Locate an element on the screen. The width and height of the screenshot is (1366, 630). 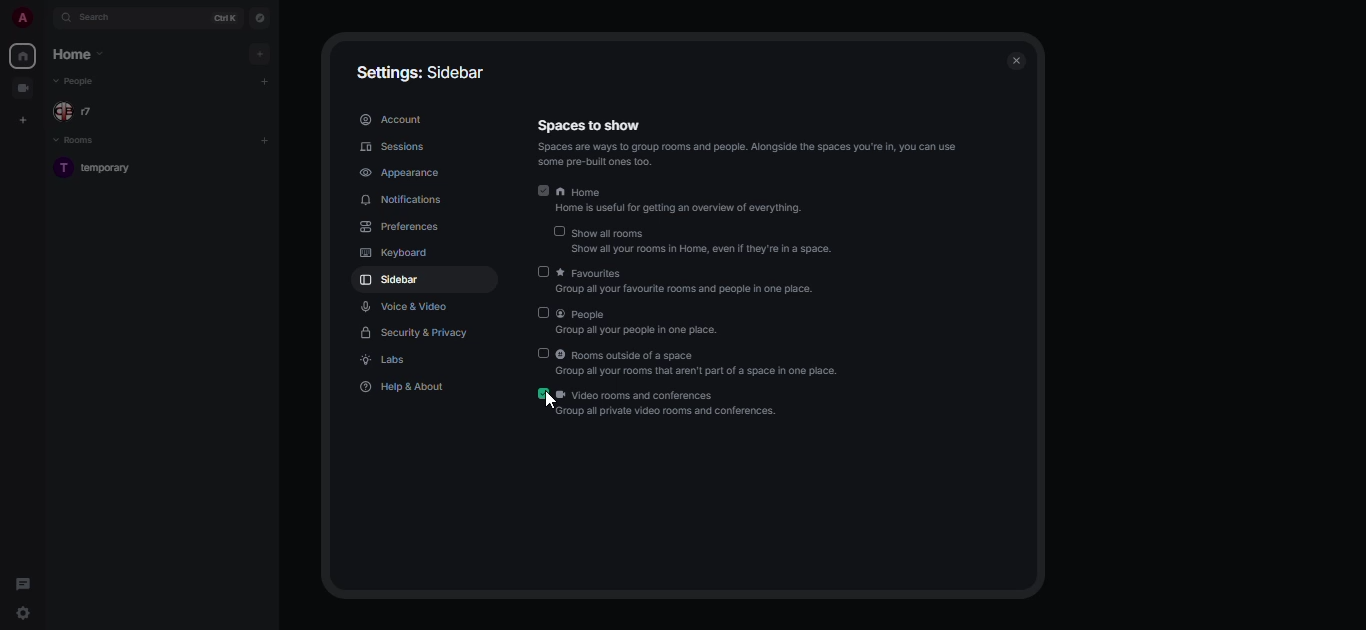
add is located at coordinates (260, 54).